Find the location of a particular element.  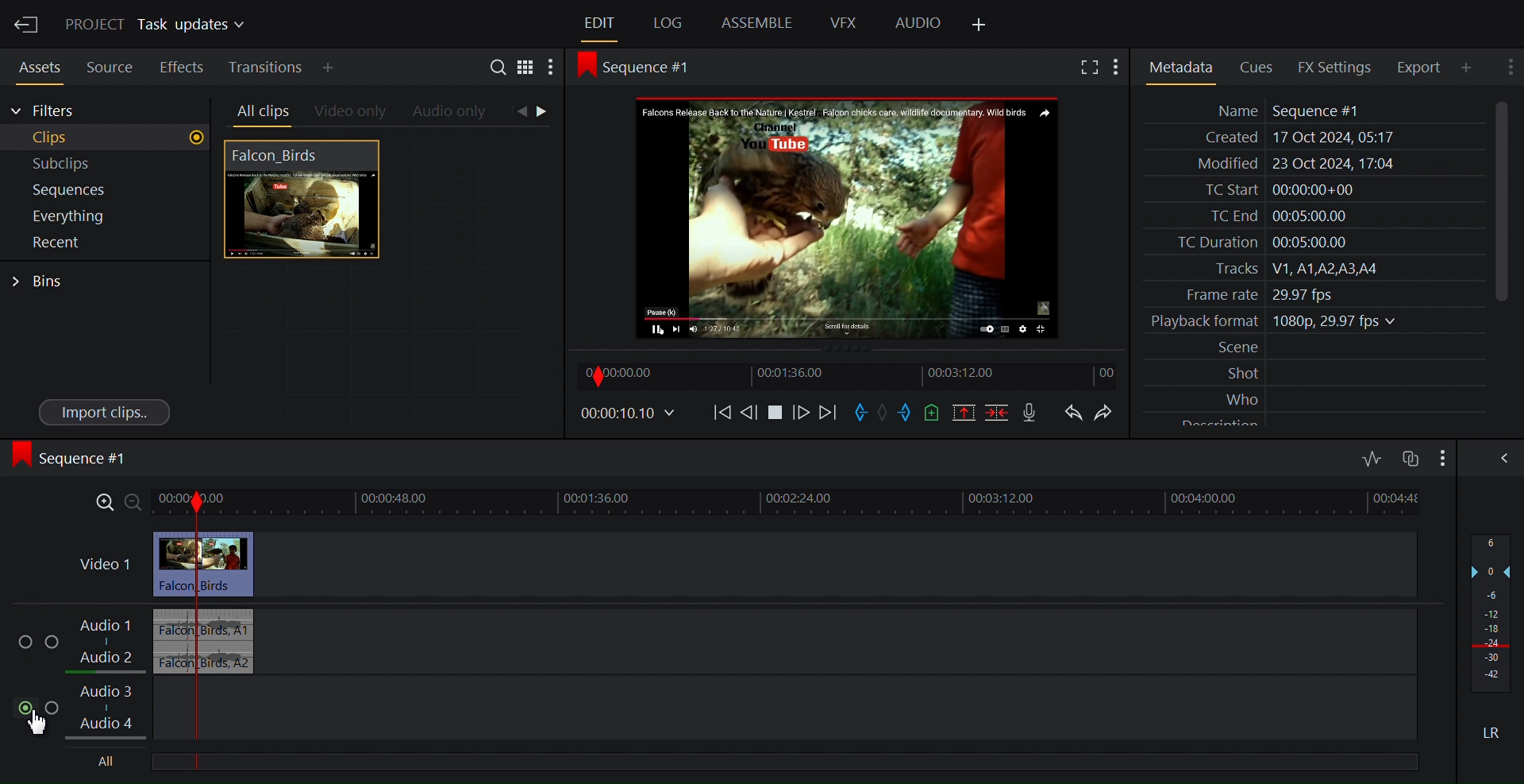

Show recent in the current project is located at coordinates (103, 243).